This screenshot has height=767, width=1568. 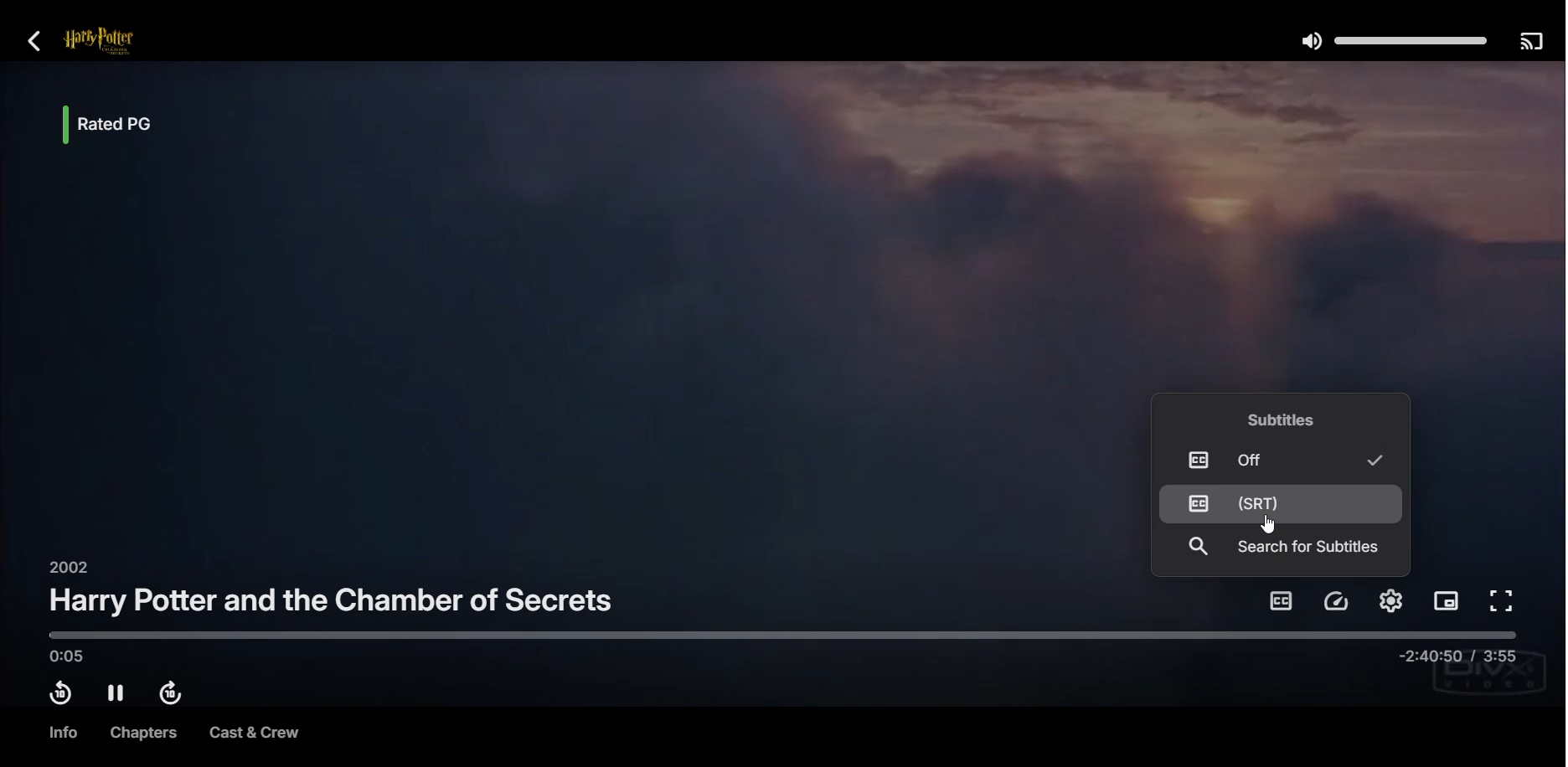 I want to click on Picture in picture, so click(x=1447, y=603).